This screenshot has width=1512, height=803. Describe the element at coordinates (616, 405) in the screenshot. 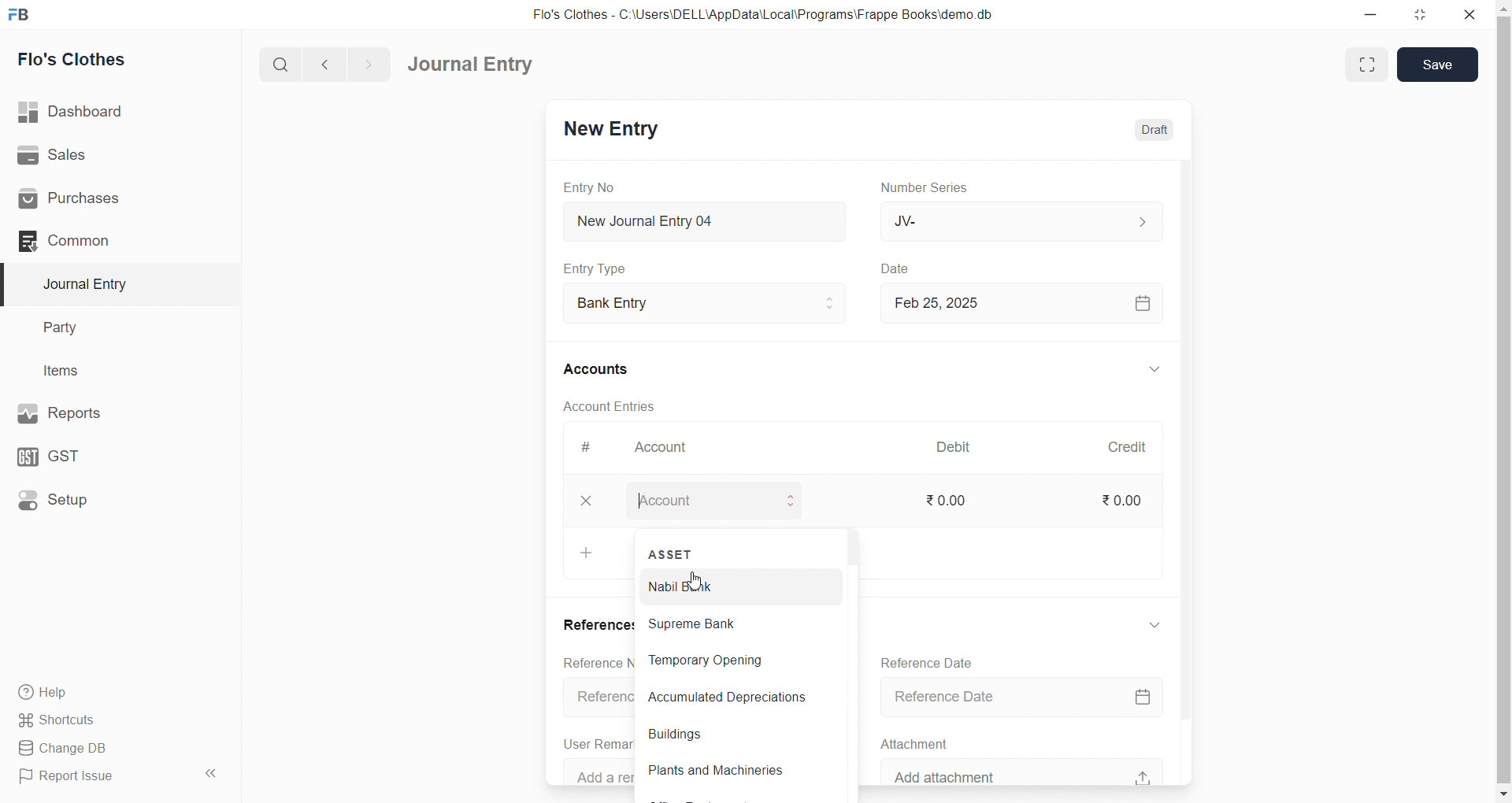

I see `Account Entries` at that location.